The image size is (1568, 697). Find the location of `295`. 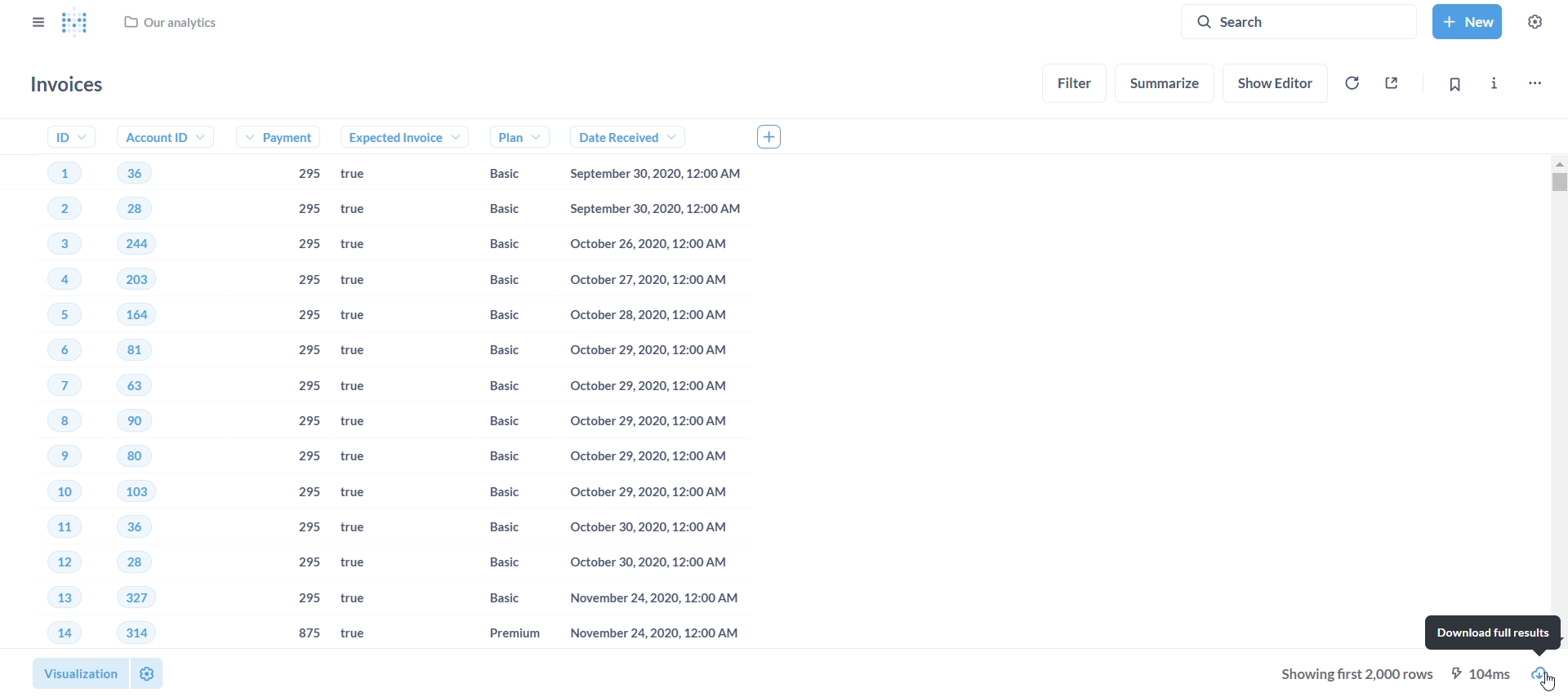

295 is located at coordinates (310, 561).